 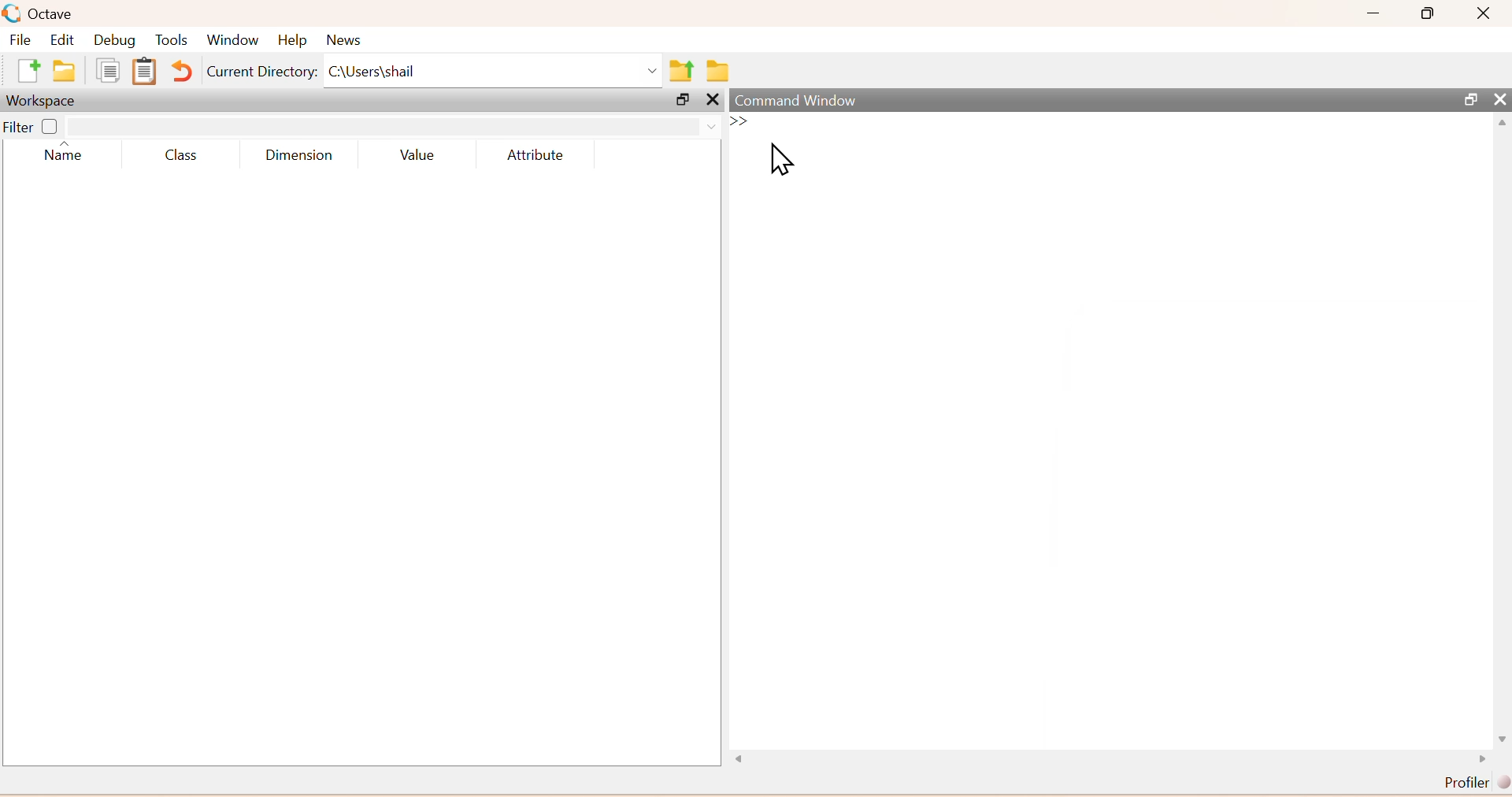 What do you see at coordinates (305, 155) in the screenshot?
I see `Dimension` at bounding box center [305, 155].